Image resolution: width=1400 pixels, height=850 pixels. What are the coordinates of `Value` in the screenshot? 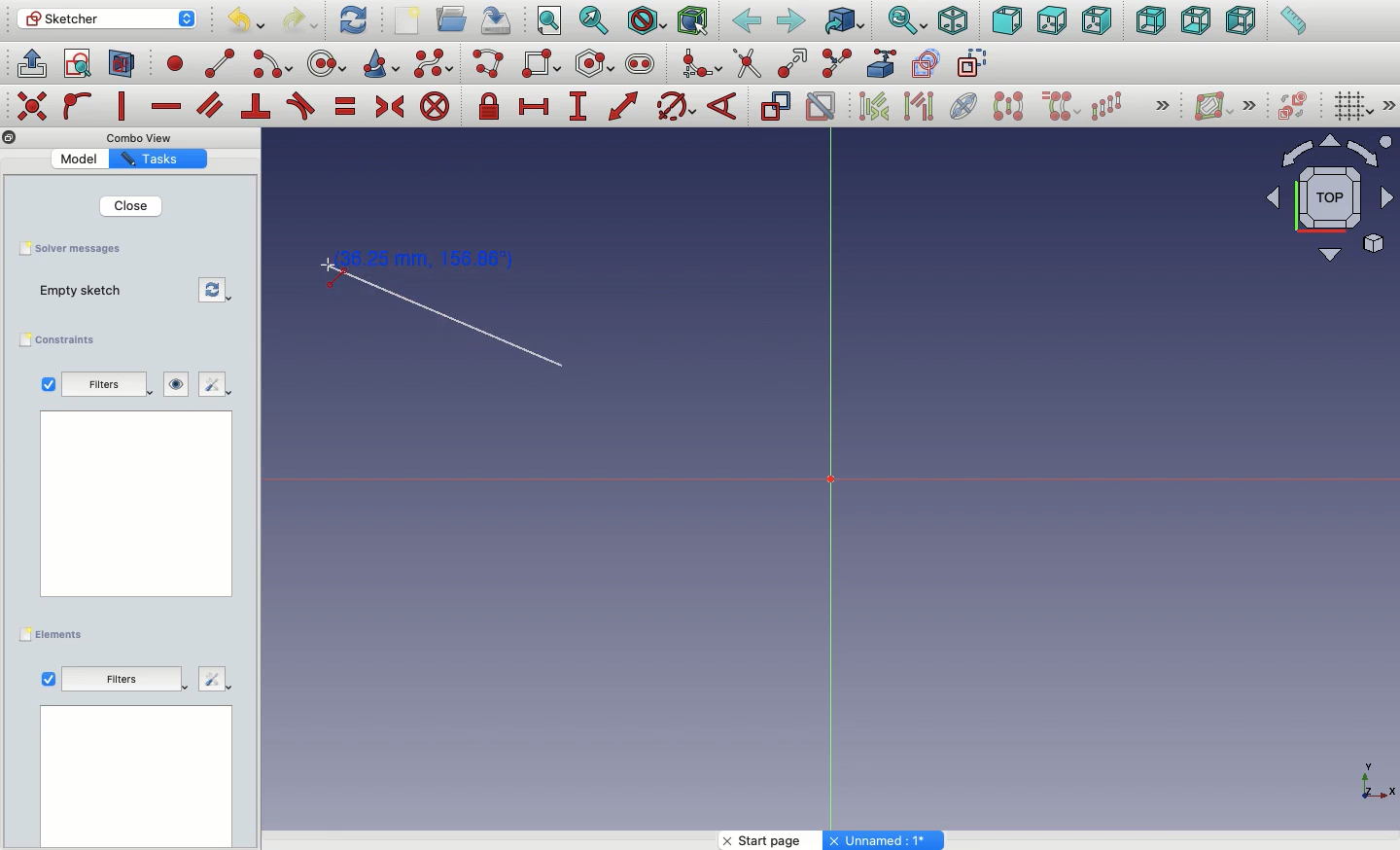 It's located at (79, 159).